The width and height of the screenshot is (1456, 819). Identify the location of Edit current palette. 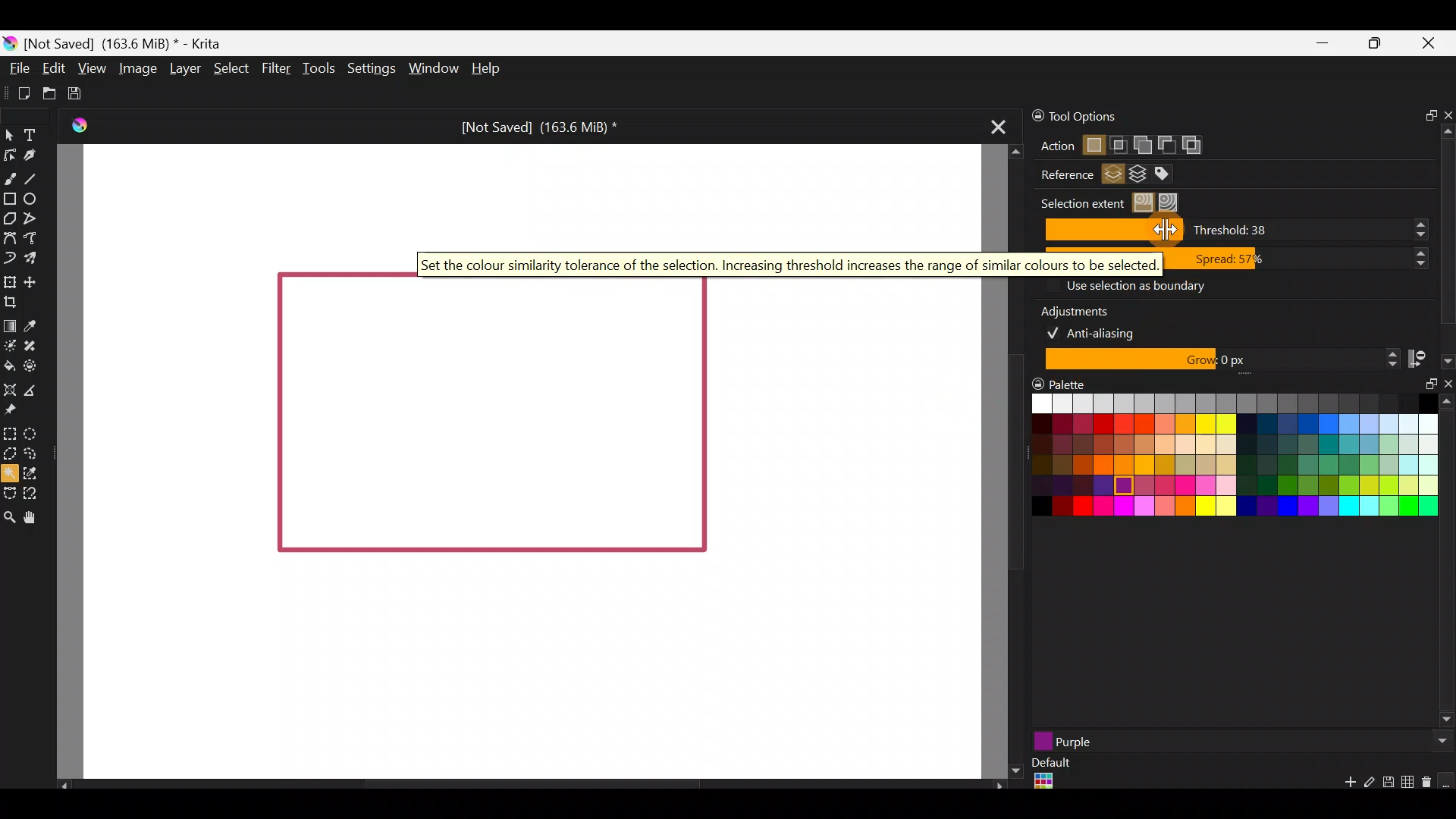
(1410, 784).